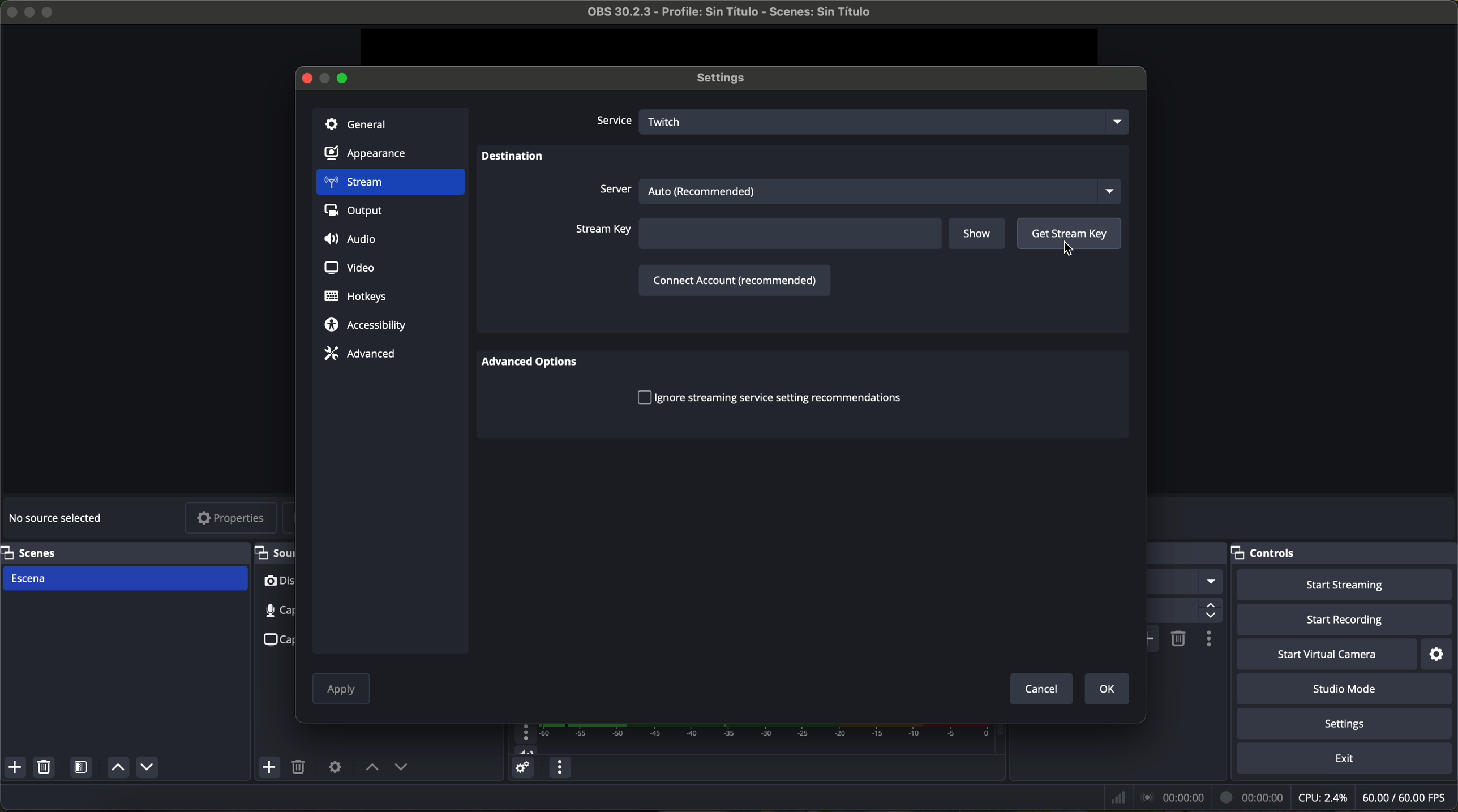 The width and height of the screenshot is (1458, 812). What do you see at coordinates (335, 766) in the screenshot?
I see `open source properties` at bounding box center [335, 766].